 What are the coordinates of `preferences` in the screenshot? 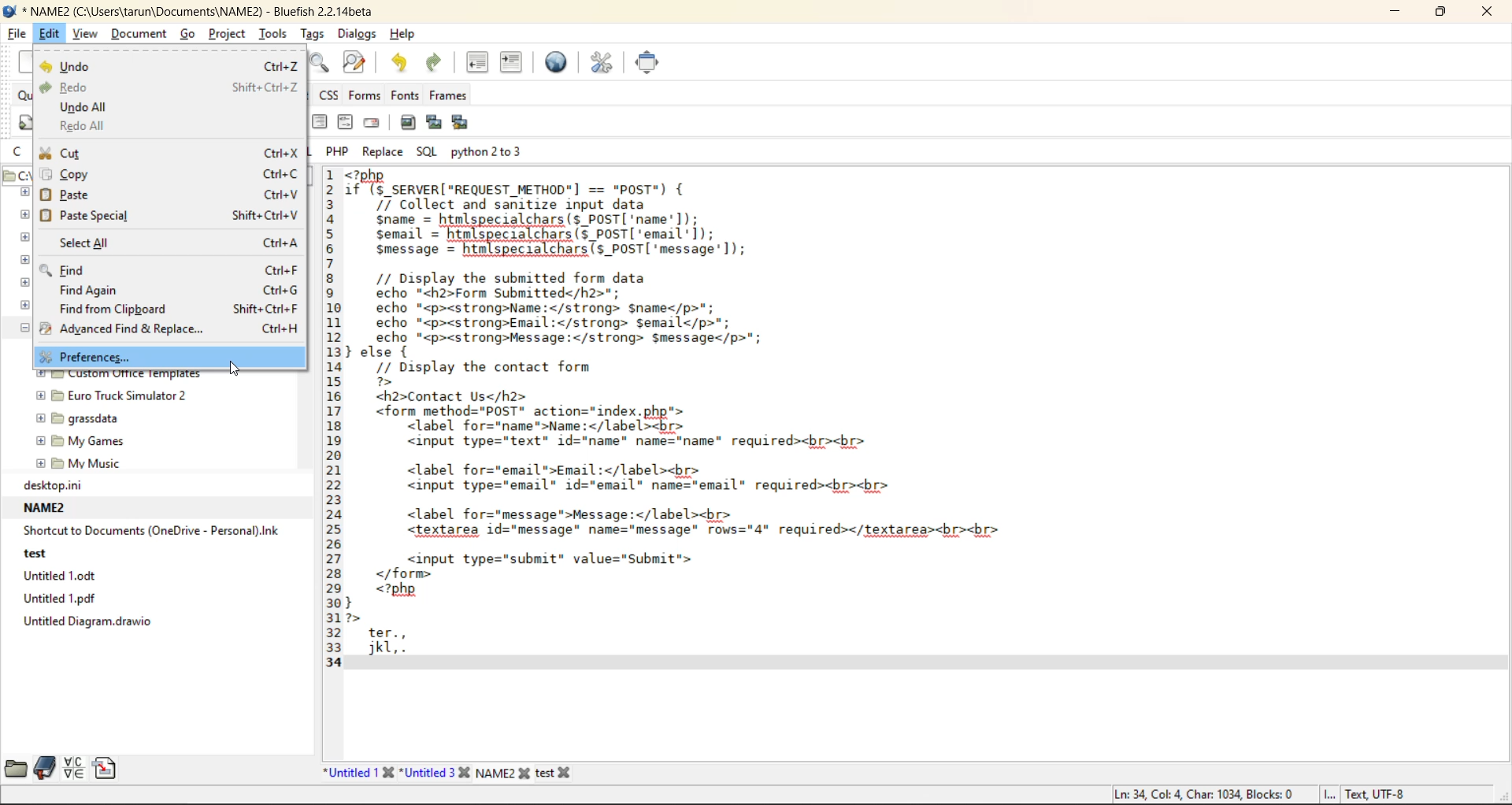 It's located at (169, 354).